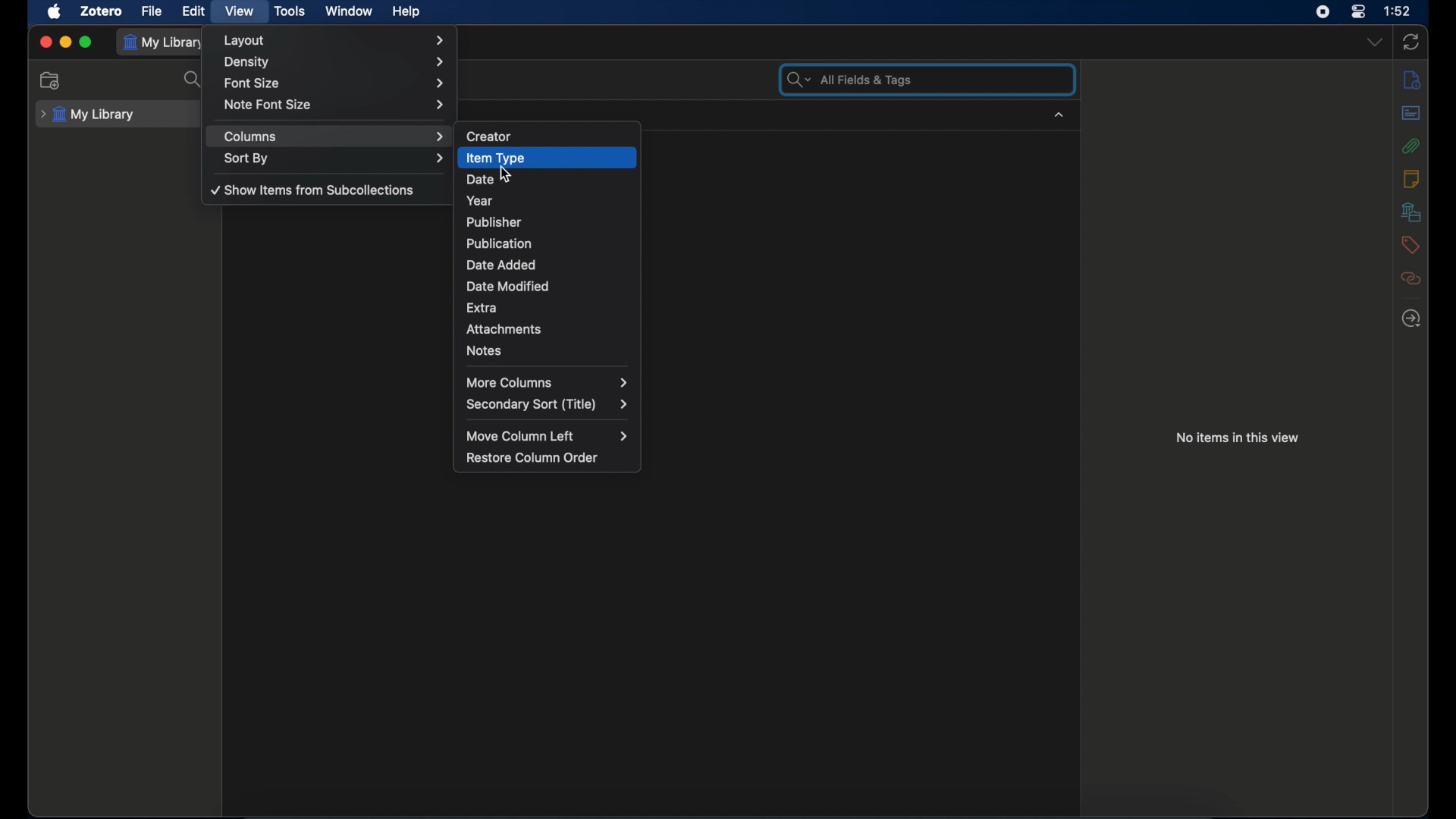 The height and width of the screenshot is (819, 1456). What do you see at coordinates (153, 10) in the screenshot?
I see `file` at bounding box center [153, 10].